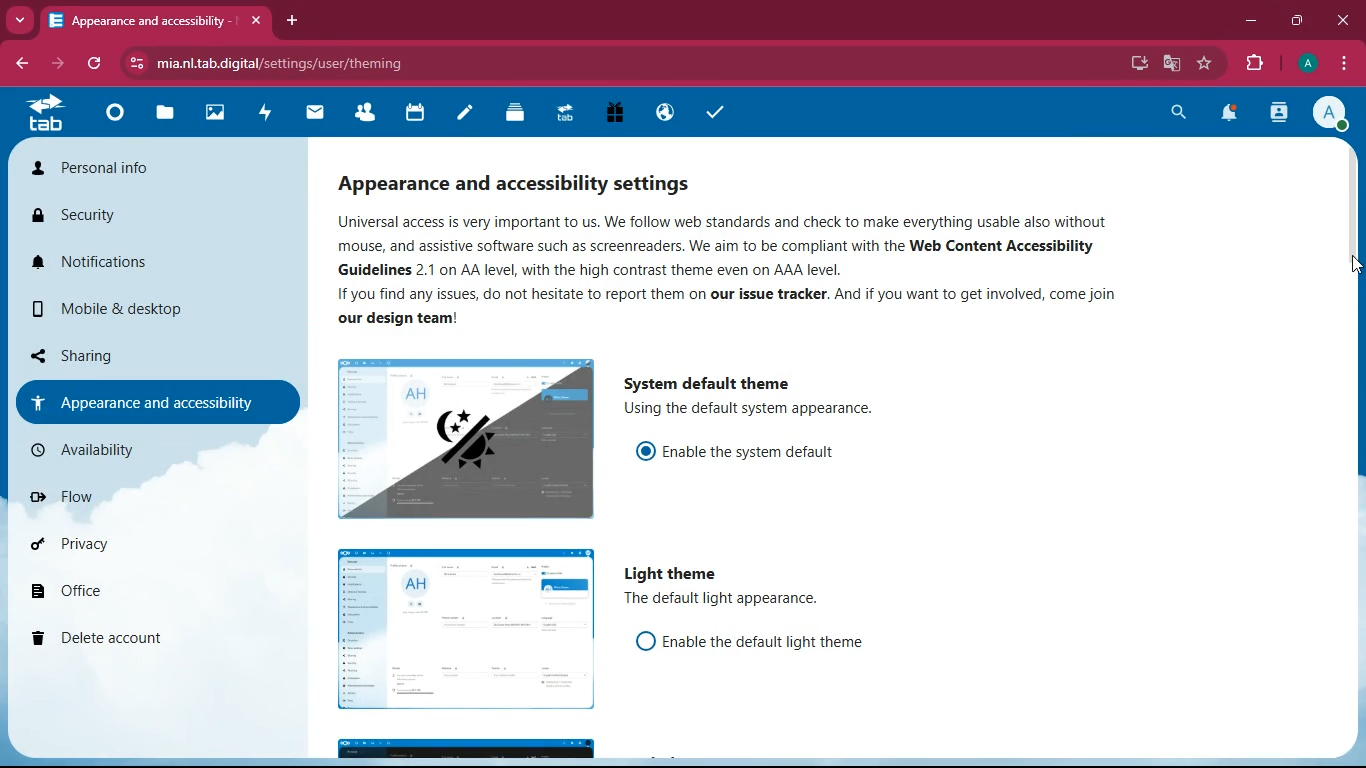 Image resolution: width=1366 pixels, height=768 pixels. What do you see at coordinates (1341, 20) in the screenshot?
I see `close` at bounding box center [1341, 20].